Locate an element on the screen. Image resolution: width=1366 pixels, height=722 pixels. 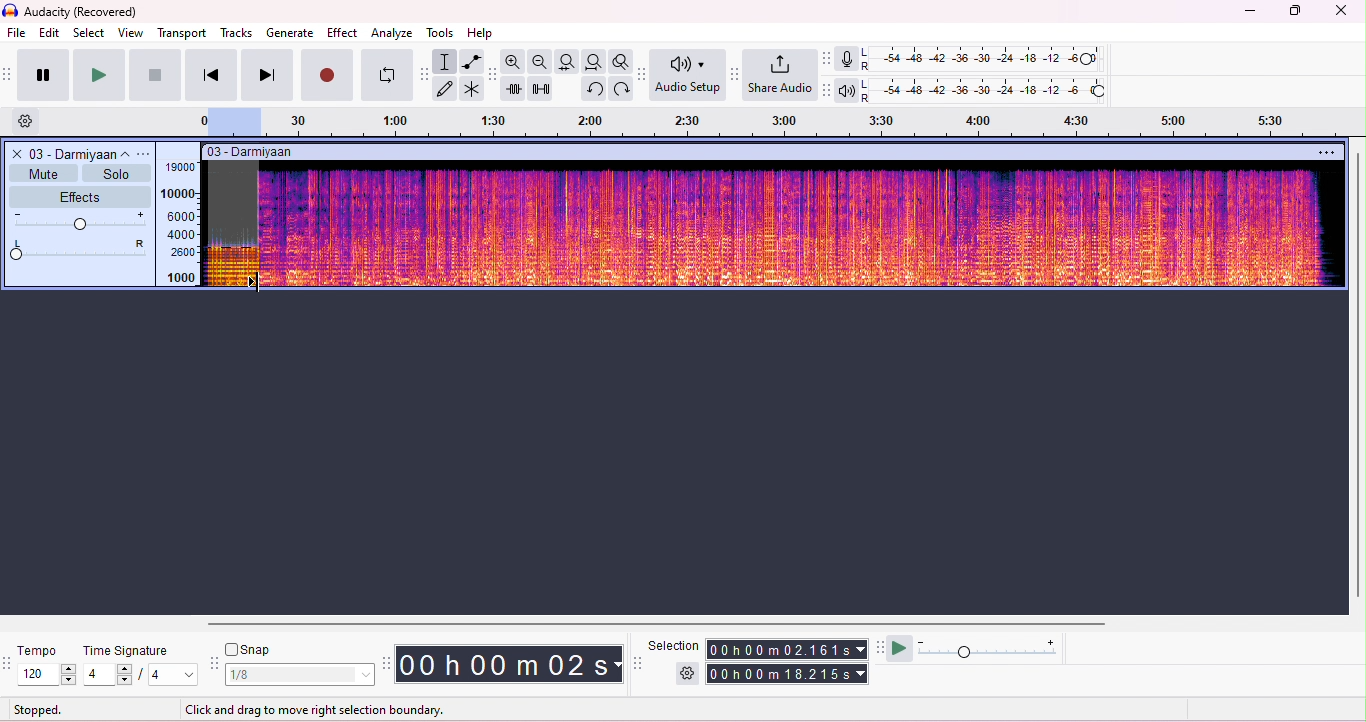
selection tool bar is located at coordinates (638, 663).